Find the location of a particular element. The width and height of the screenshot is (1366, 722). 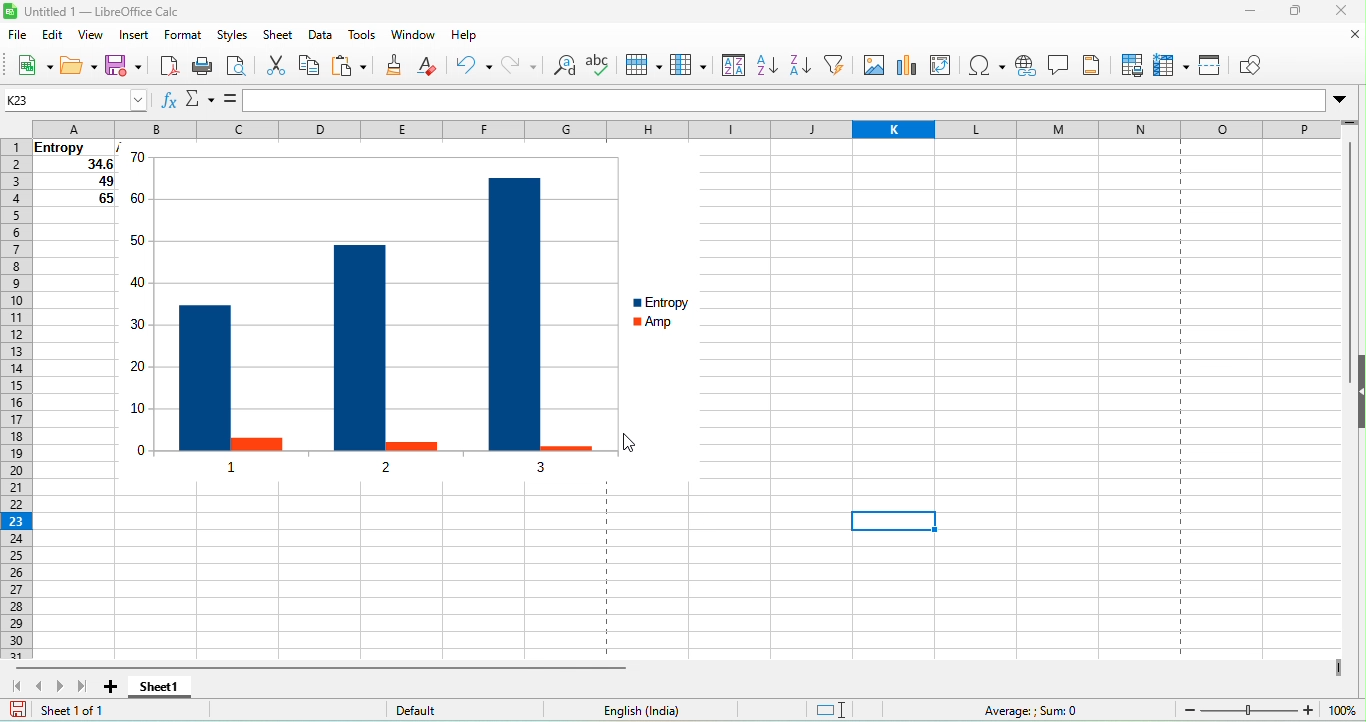

scroll to first sheet is located at coordinates (16, 687).